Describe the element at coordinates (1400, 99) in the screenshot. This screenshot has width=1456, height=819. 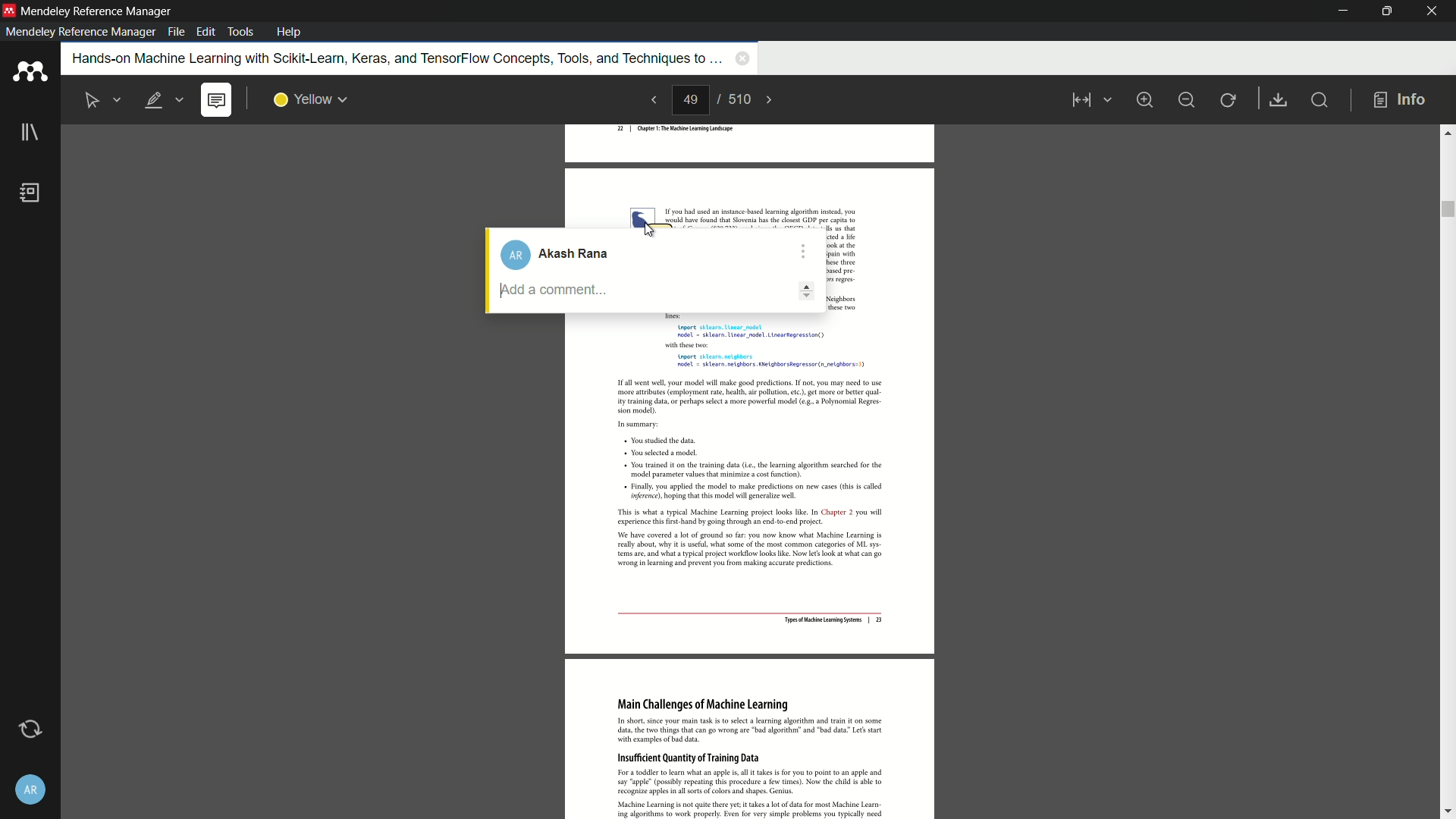
I see `info` at that location.